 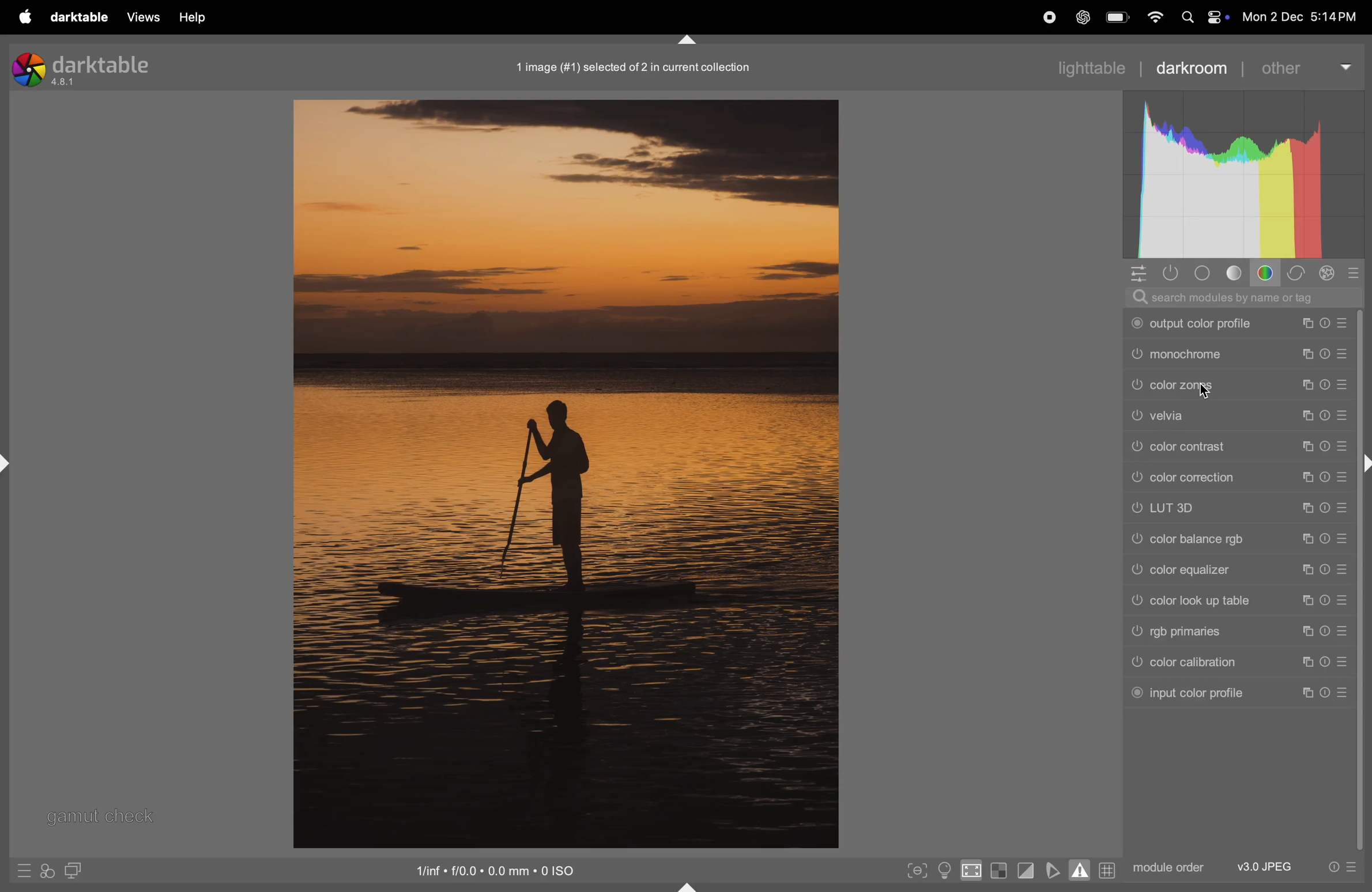 What do you see at coordinates (1200, 415) in the screenshot?
I see `velvia` at bounding box center [1200, 415].